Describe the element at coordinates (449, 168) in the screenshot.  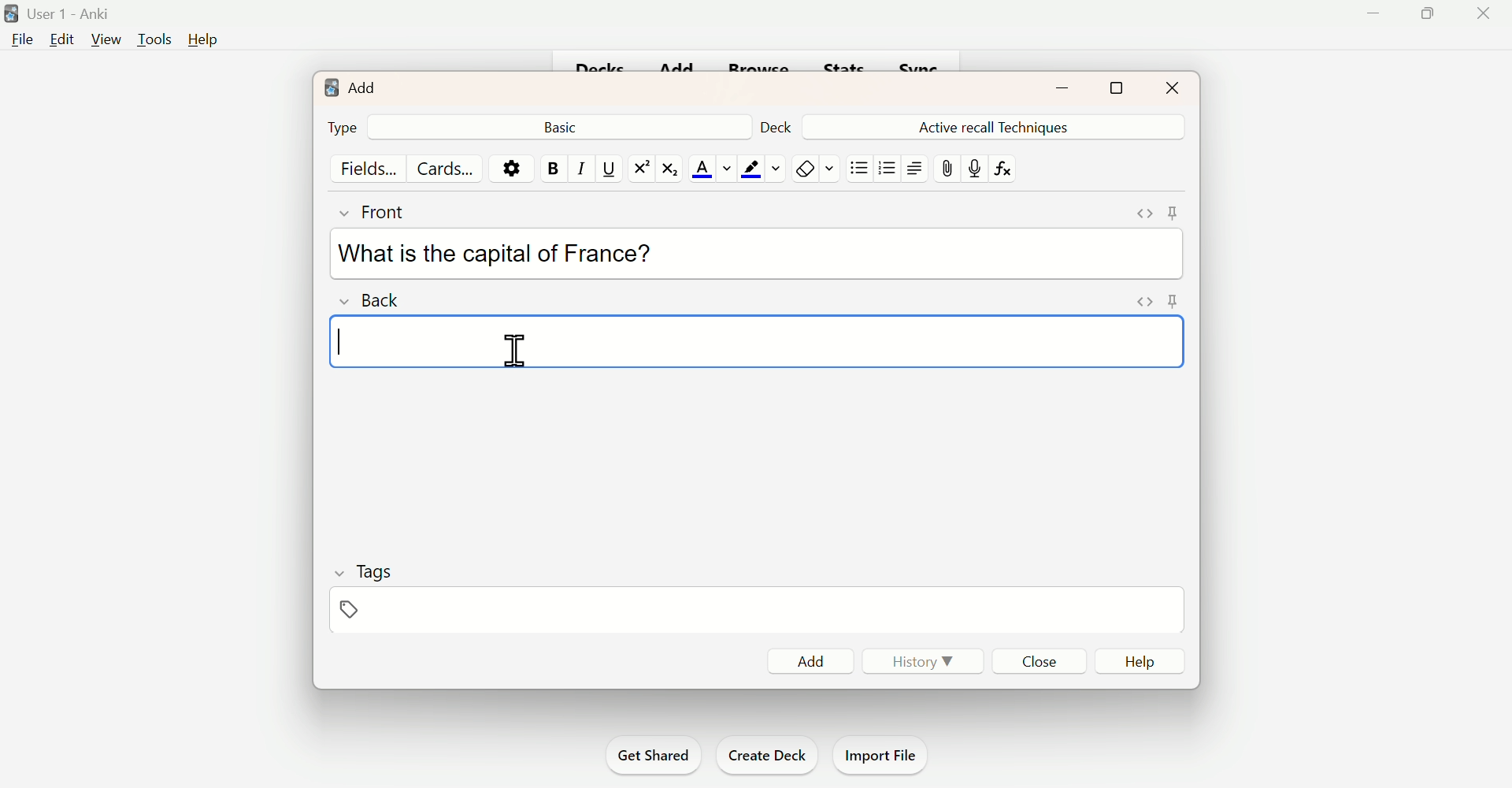
I see `Cards` at that location.